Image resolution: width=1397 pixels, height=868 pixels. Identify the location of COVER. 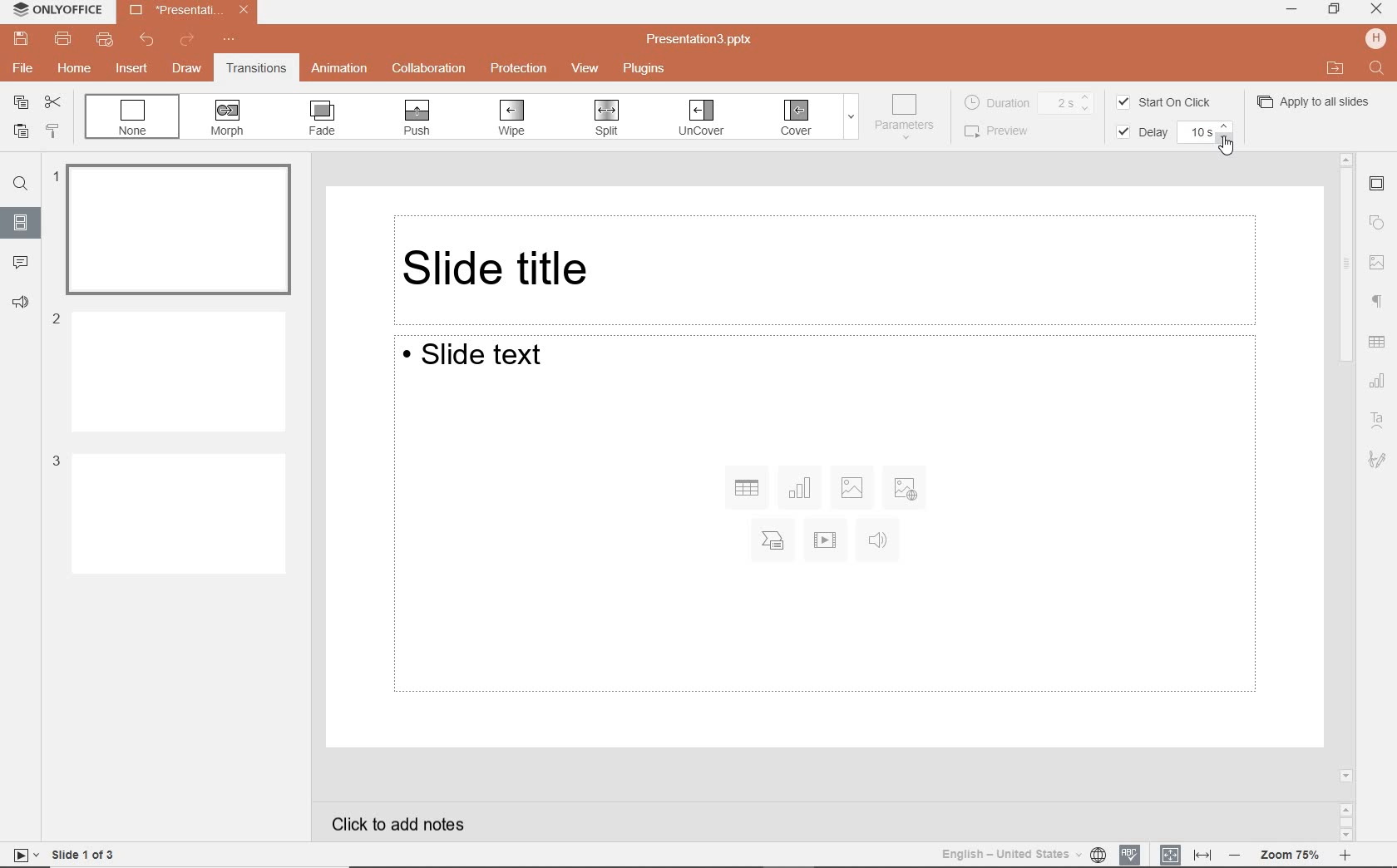
(797, 118).